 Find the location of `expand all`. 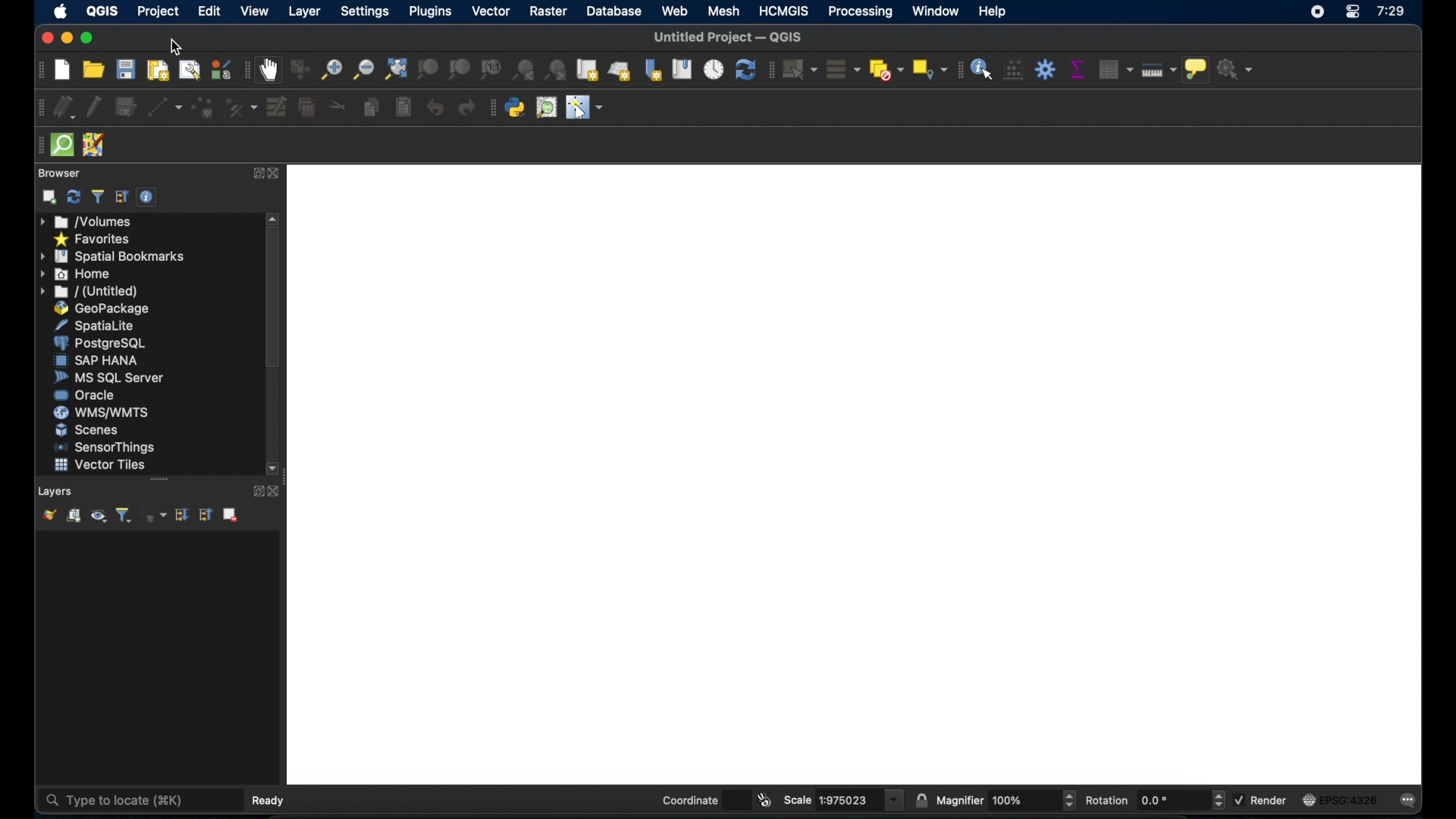

expand all is located at coordinates (183, 514).